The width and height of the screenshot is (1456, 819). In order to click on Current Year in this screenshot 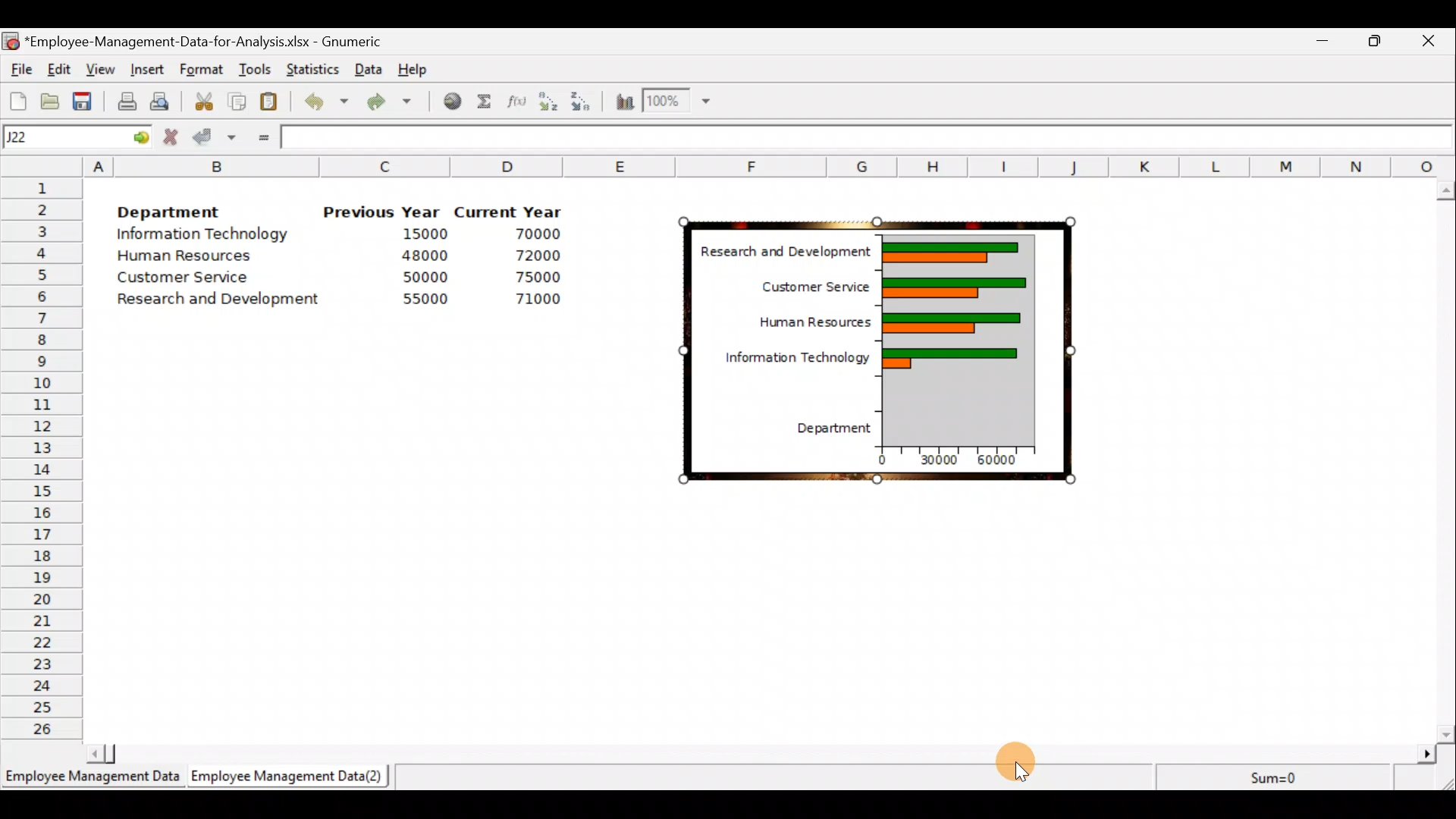, I will do `click(508, 209)`.